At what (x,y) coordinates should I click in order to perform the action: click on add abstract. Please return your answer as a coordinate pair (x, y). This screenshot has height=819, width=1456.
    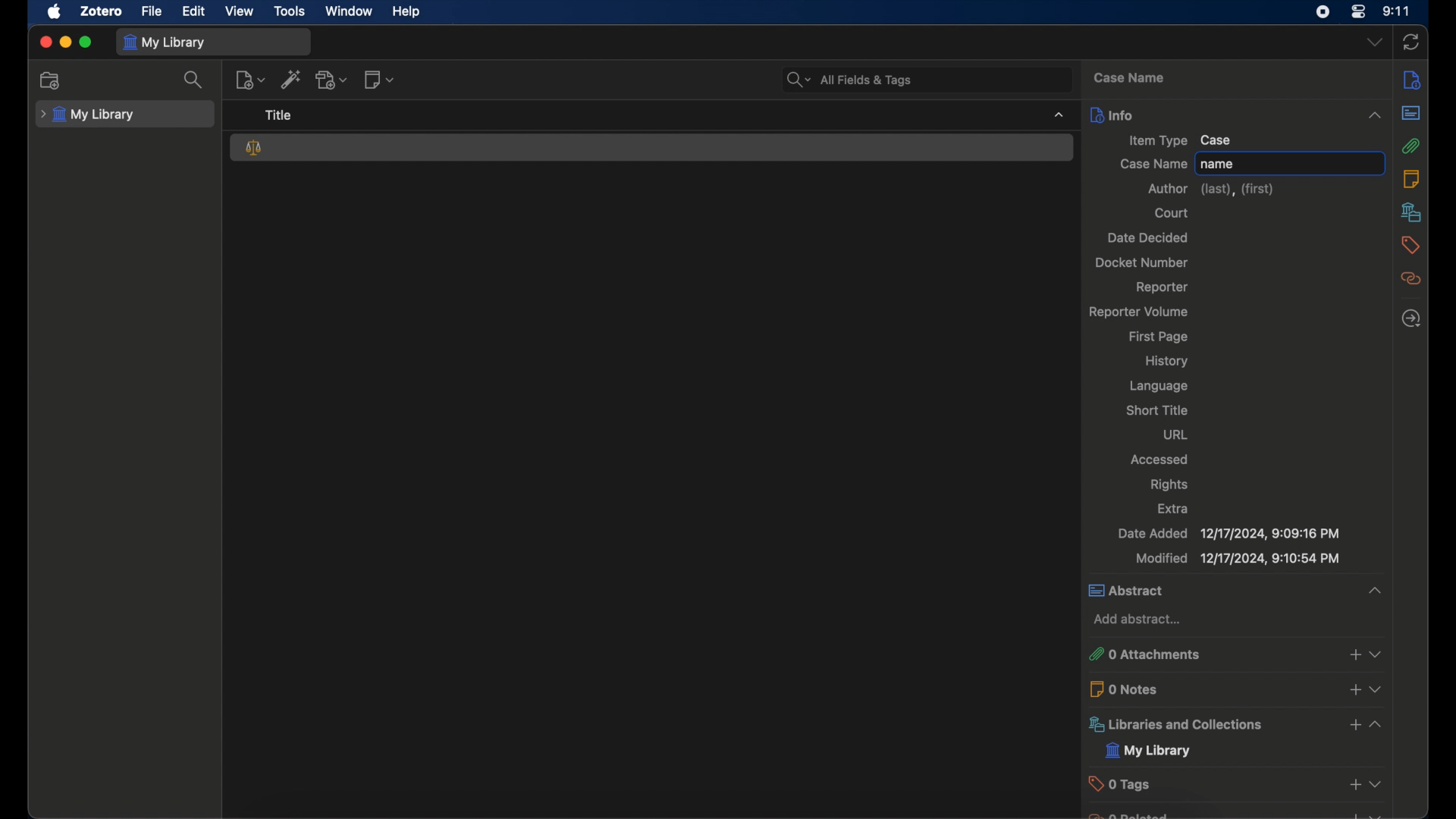
    Looking at the image, I should click on (1139, 619).